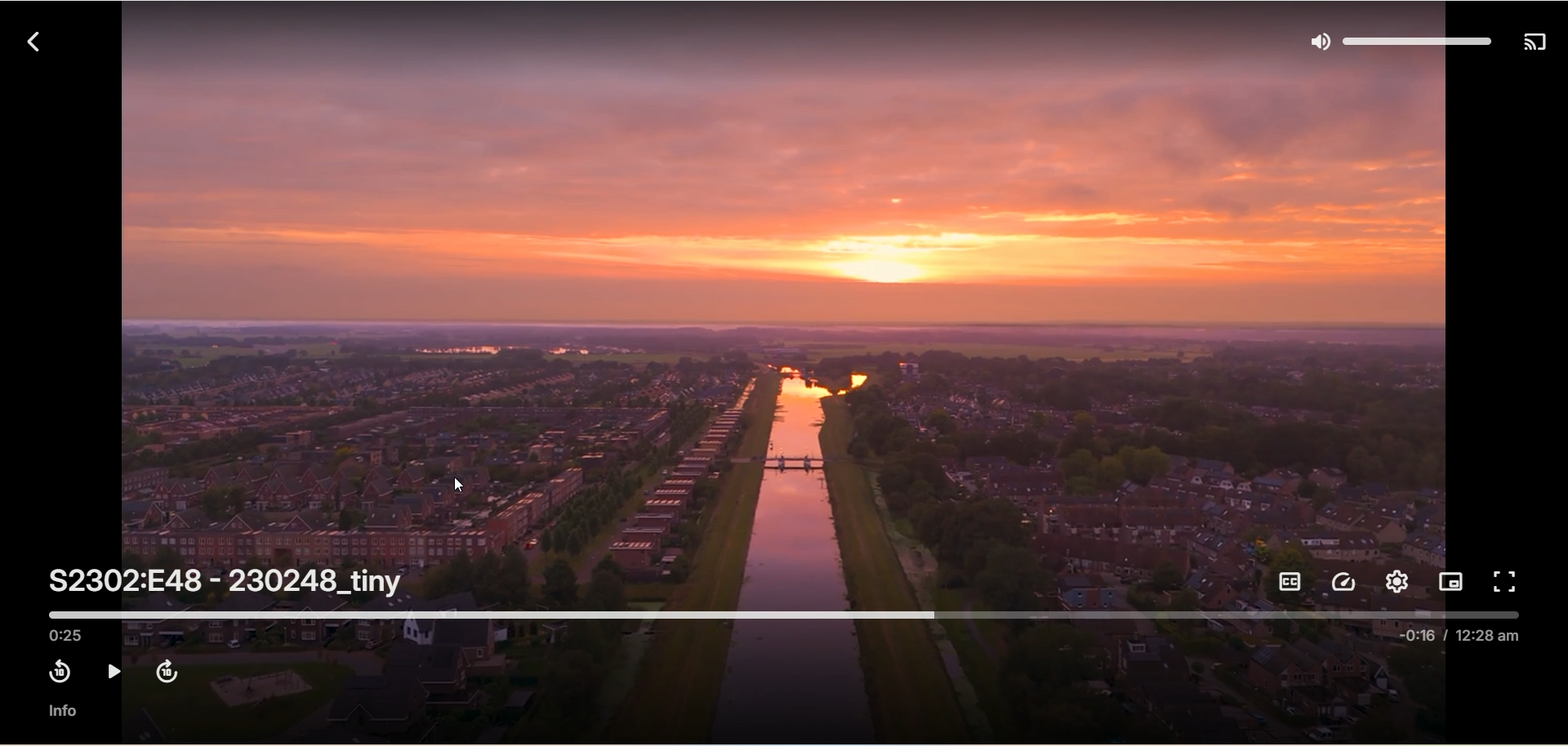  What do you see at coordinates (1396, 583) in the screenshot?
I see `settings` at bounding box center [1396, 583].